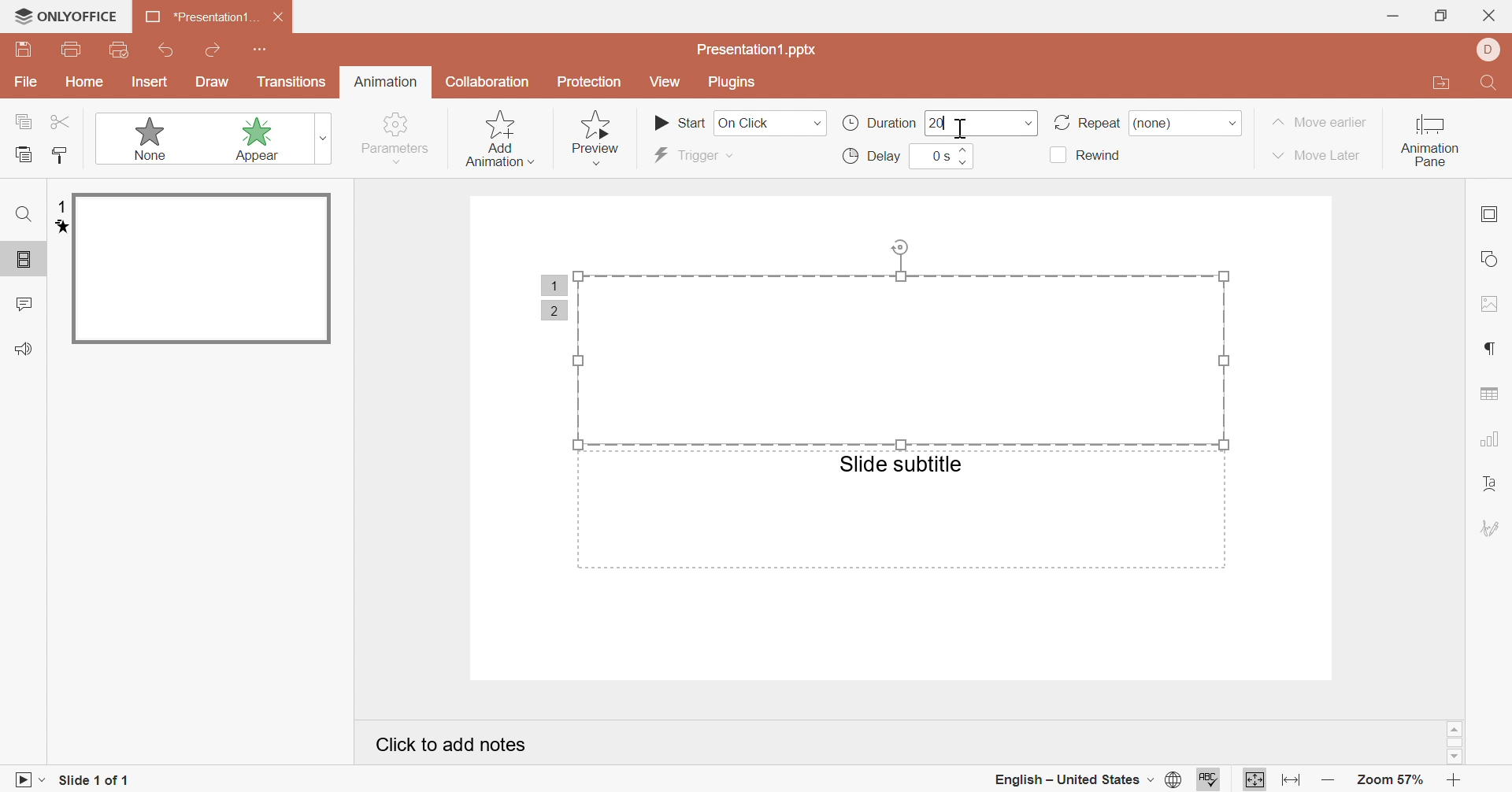 This screenshot has width=1512, height=792. What do you see at coordinates (1329, 781) in the screenshot?
I see `zoom out` at bounding box center [1329, 781].